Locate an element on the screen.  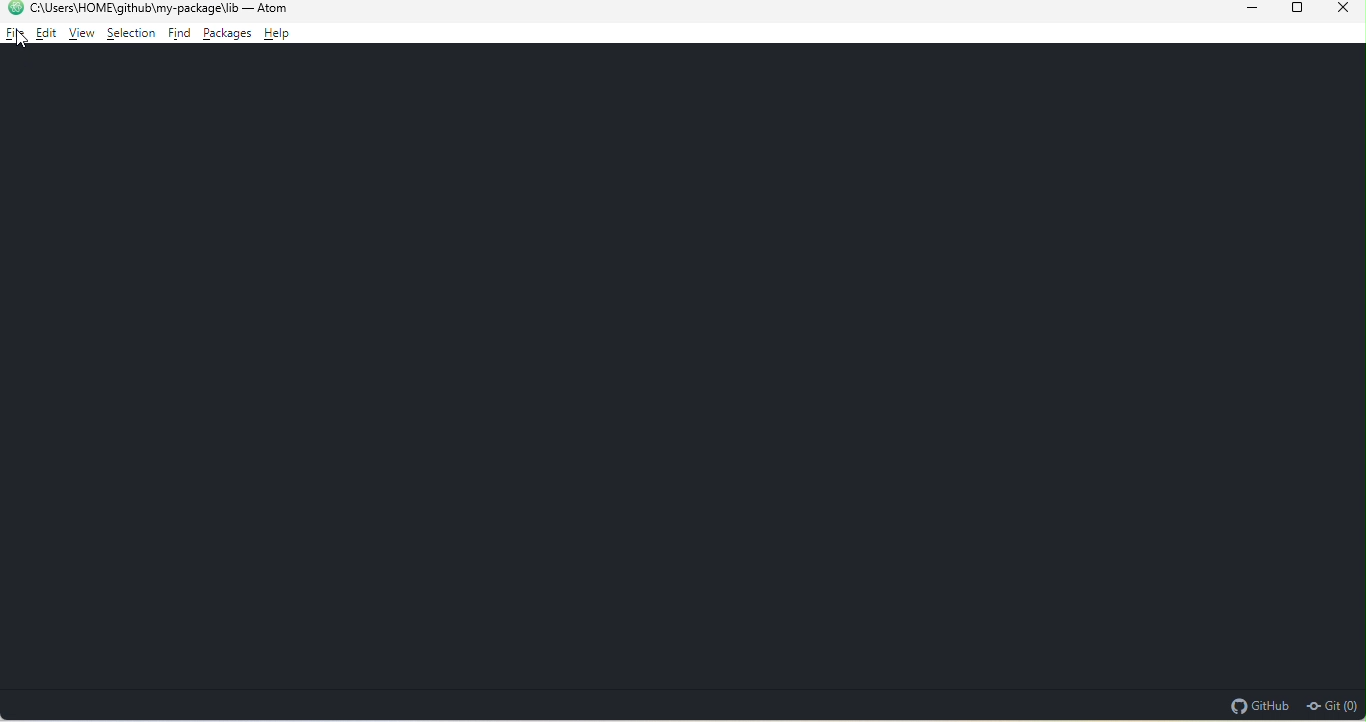
file is located at coordinates (14, 34).